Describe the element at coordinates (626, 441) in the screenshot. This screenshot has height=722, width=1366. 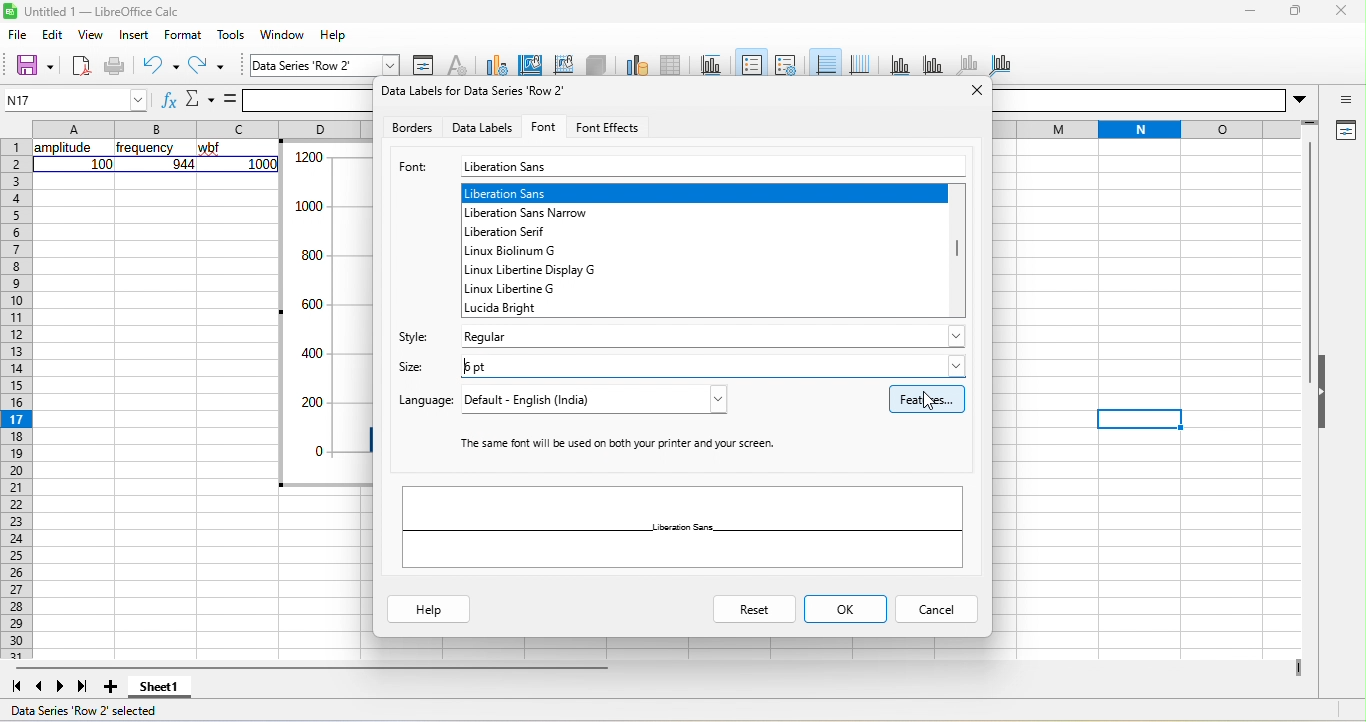
I see `‘The same font will be used on both your printer and your screen.` at that location.